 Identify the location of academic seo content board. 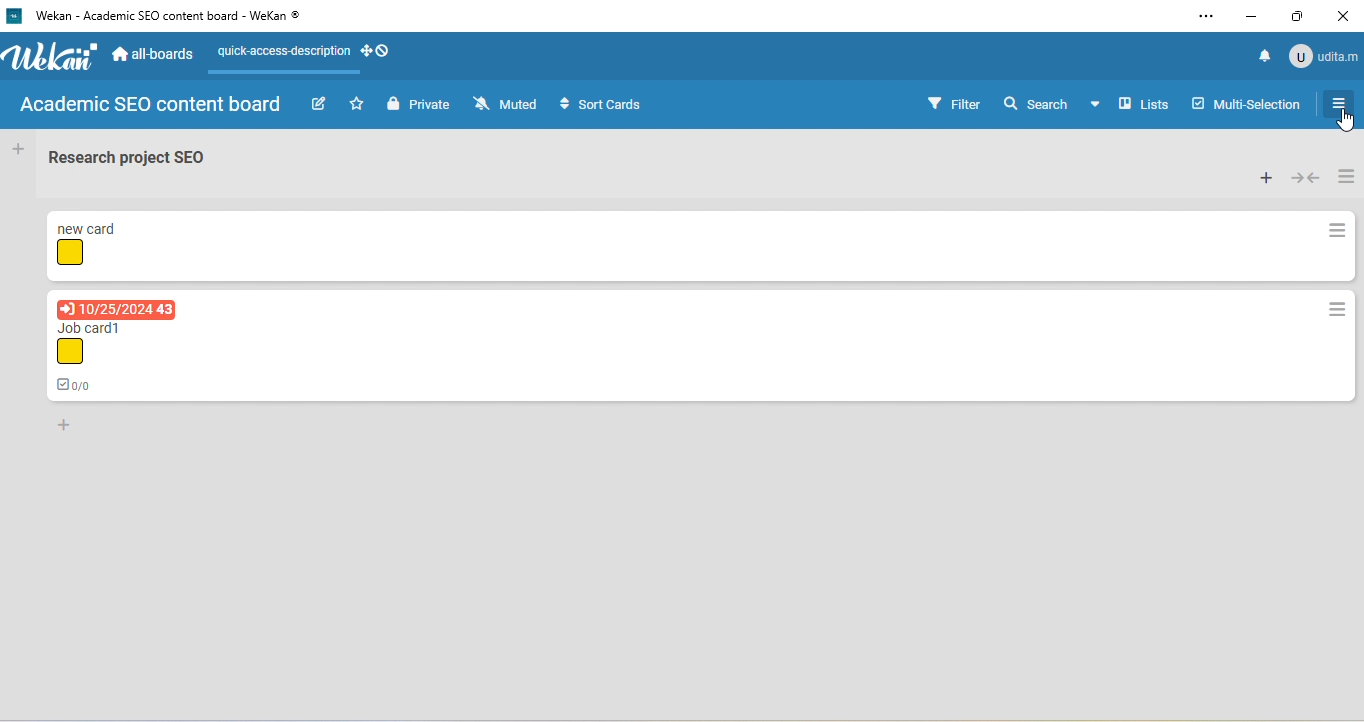
(153, 107).